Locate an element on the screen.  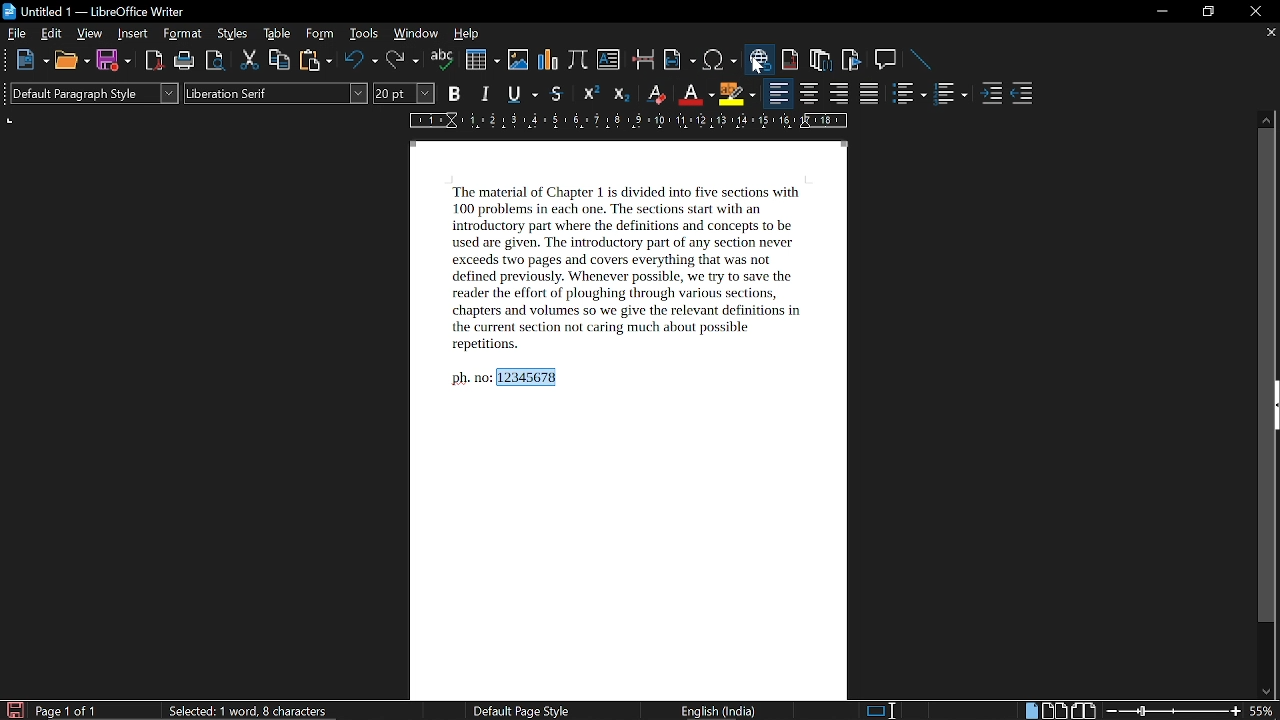
tools is located at coordinates (363, 35).